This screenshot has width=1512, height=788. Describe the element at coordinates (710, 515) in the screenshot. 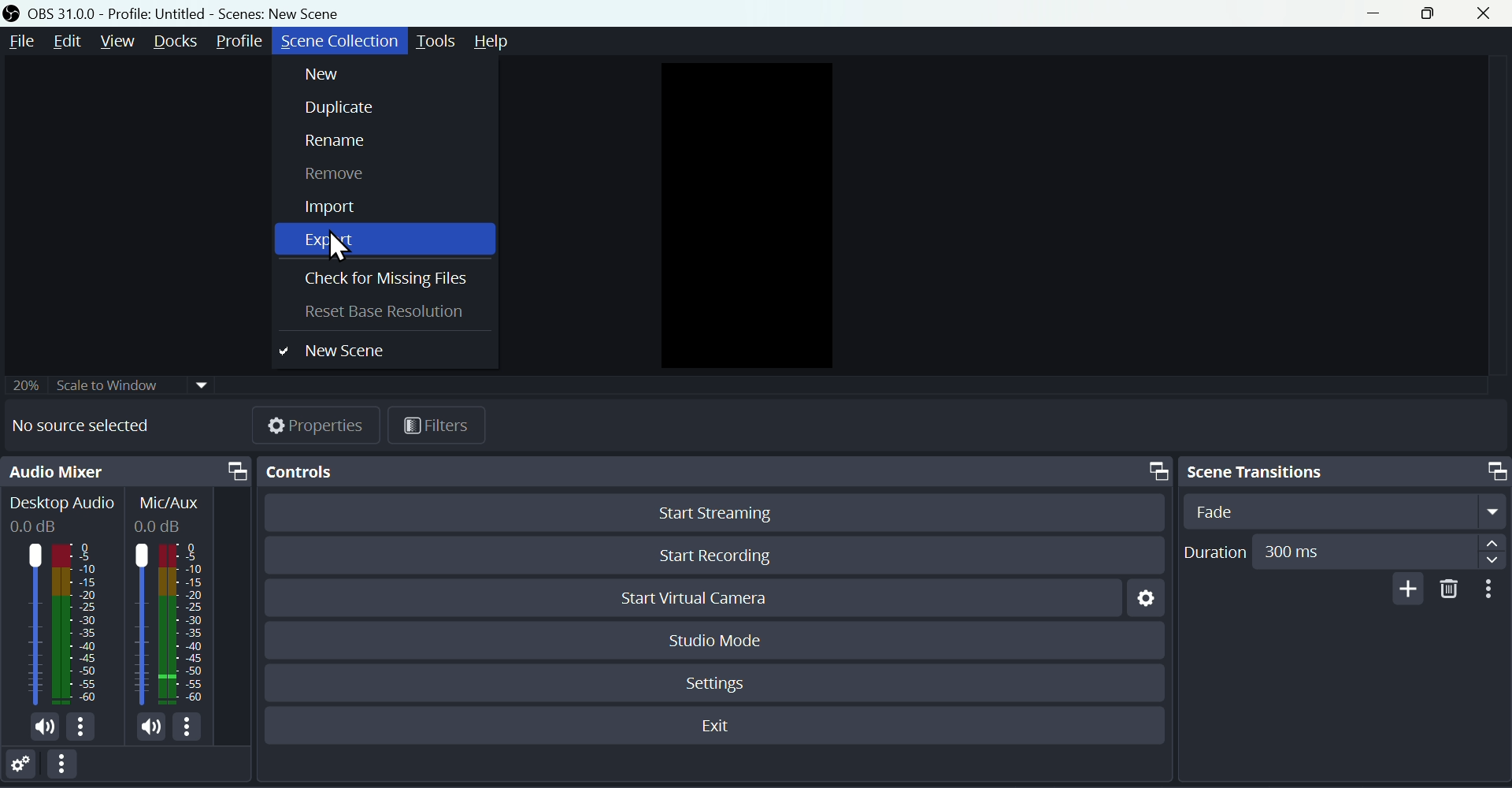

I see `Start streaming` at that location.